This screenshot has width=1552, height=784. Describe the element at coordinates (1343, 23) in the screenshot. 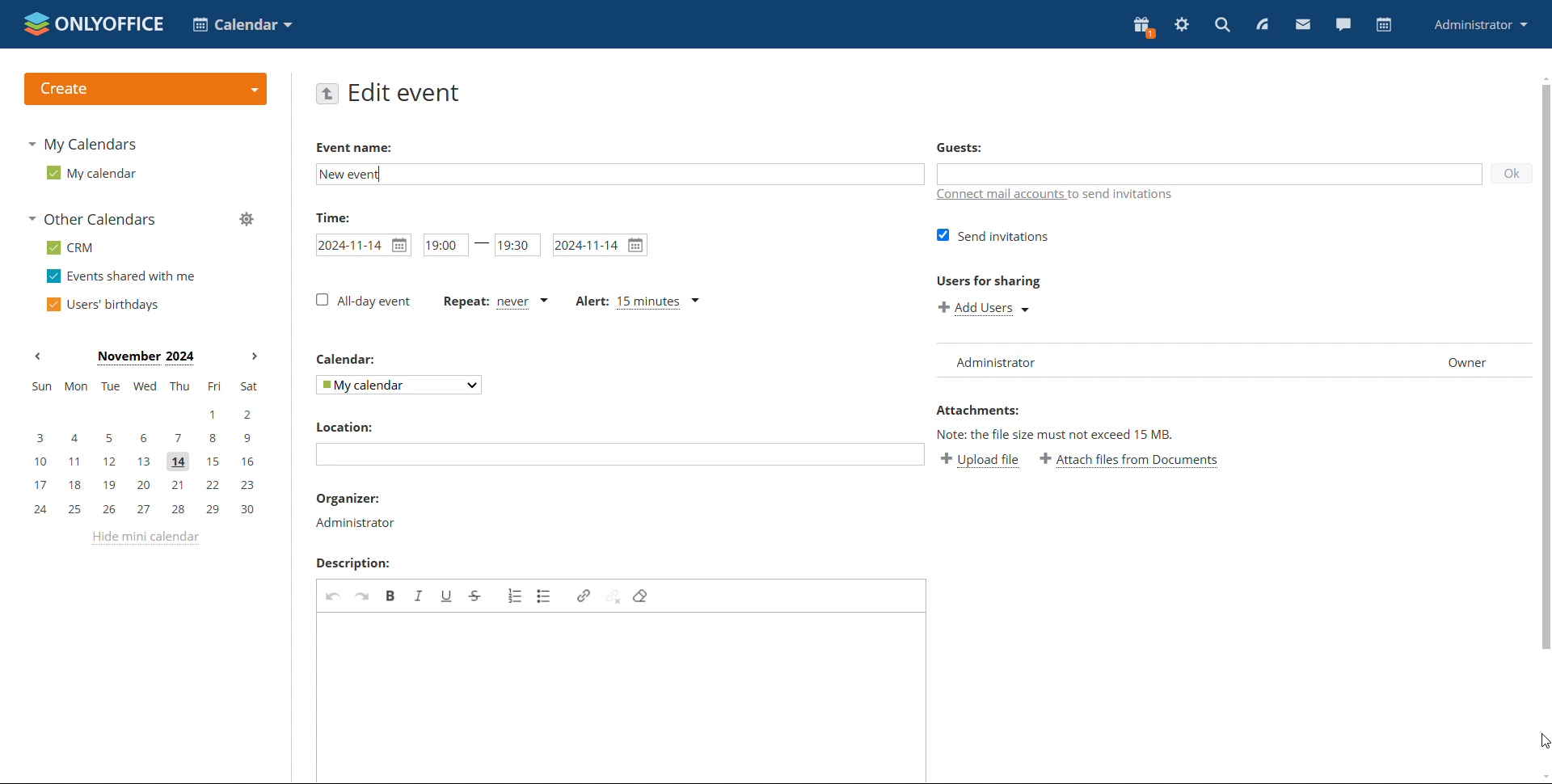

I see `chat` at that location.